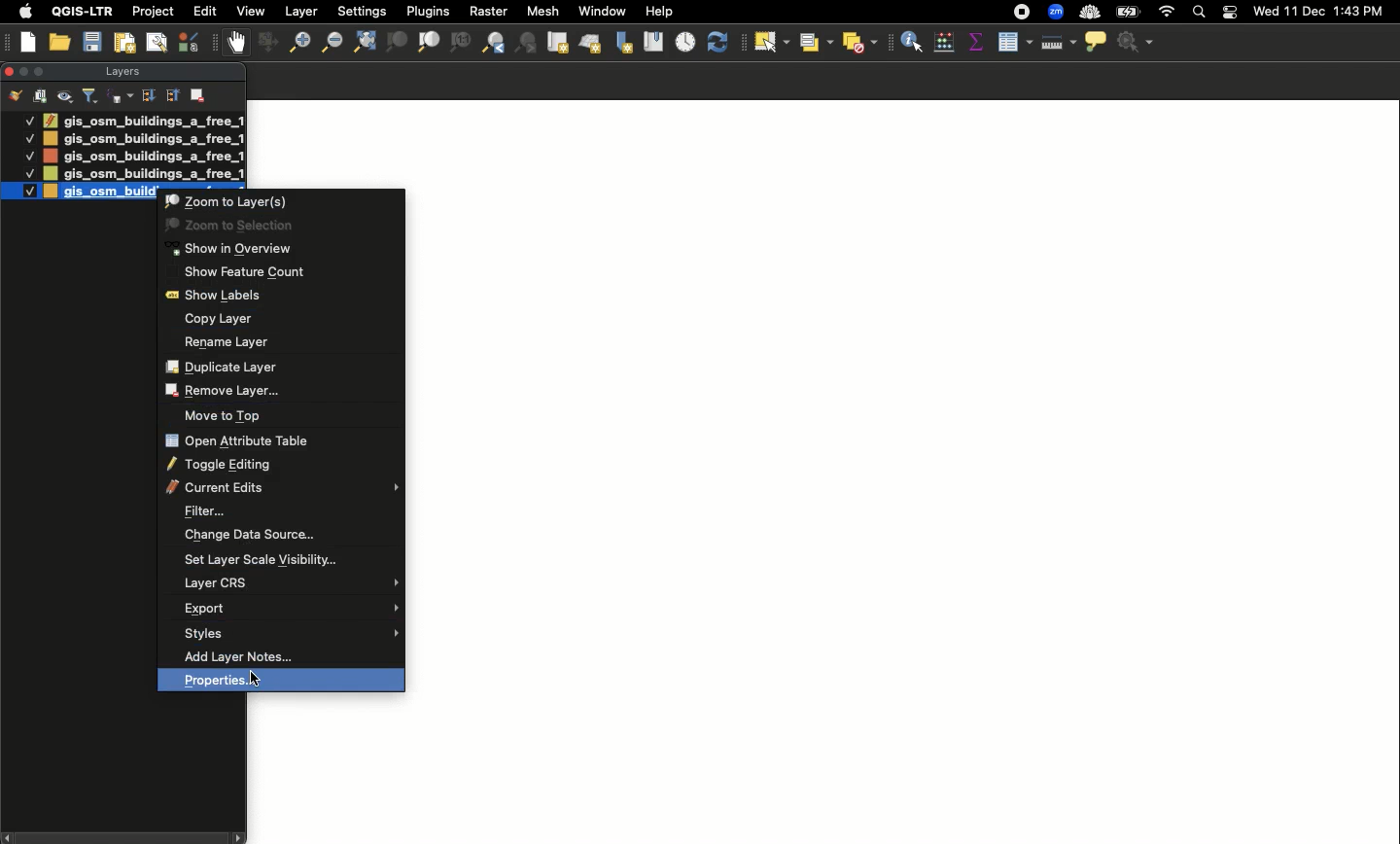  Describe the element at coordinates (590, 46) in the screenshot. I see `New 3D map view` at that location.